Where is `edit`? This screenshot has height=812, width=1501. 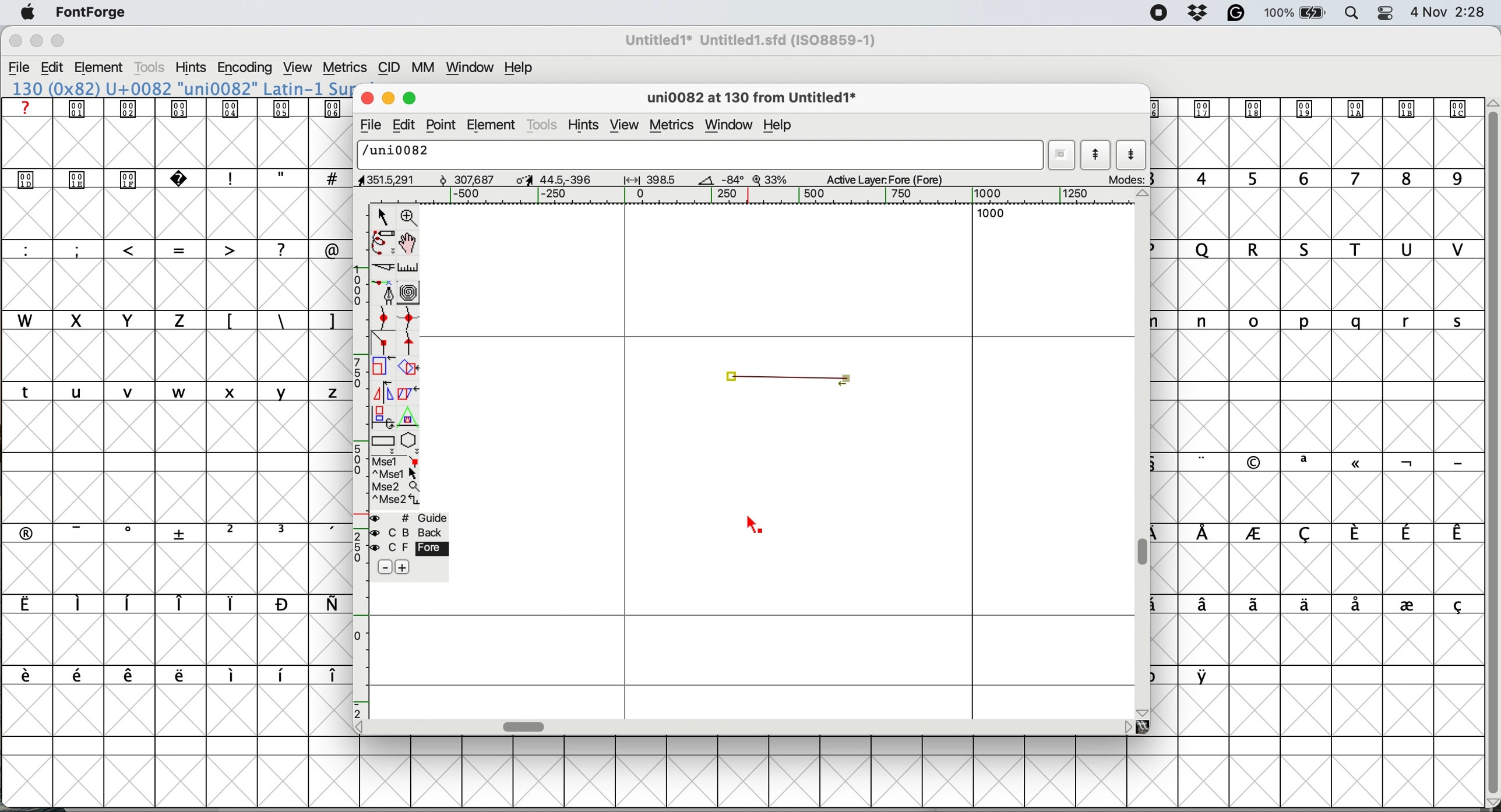 edit is located at coordinates (52, 68).